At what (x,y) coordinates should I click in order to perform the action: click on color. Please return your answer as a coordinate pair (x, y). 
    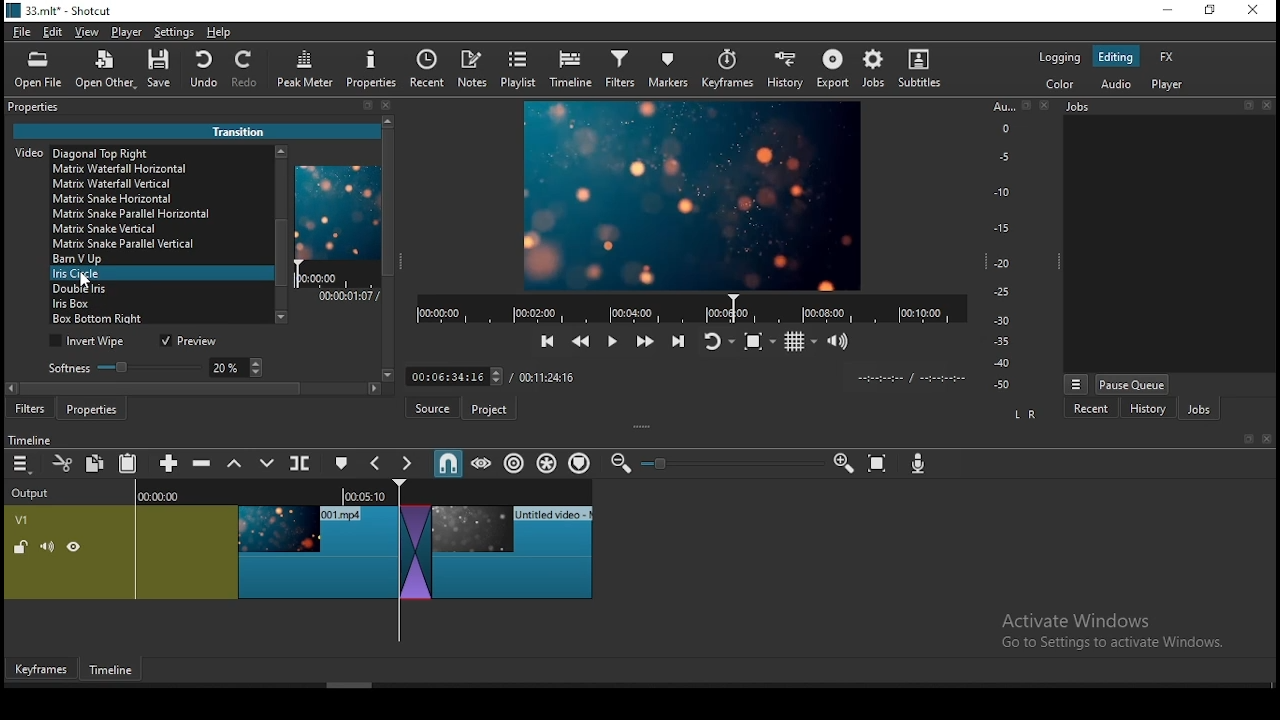
    Looking at the image, I should click on (1061, 85).